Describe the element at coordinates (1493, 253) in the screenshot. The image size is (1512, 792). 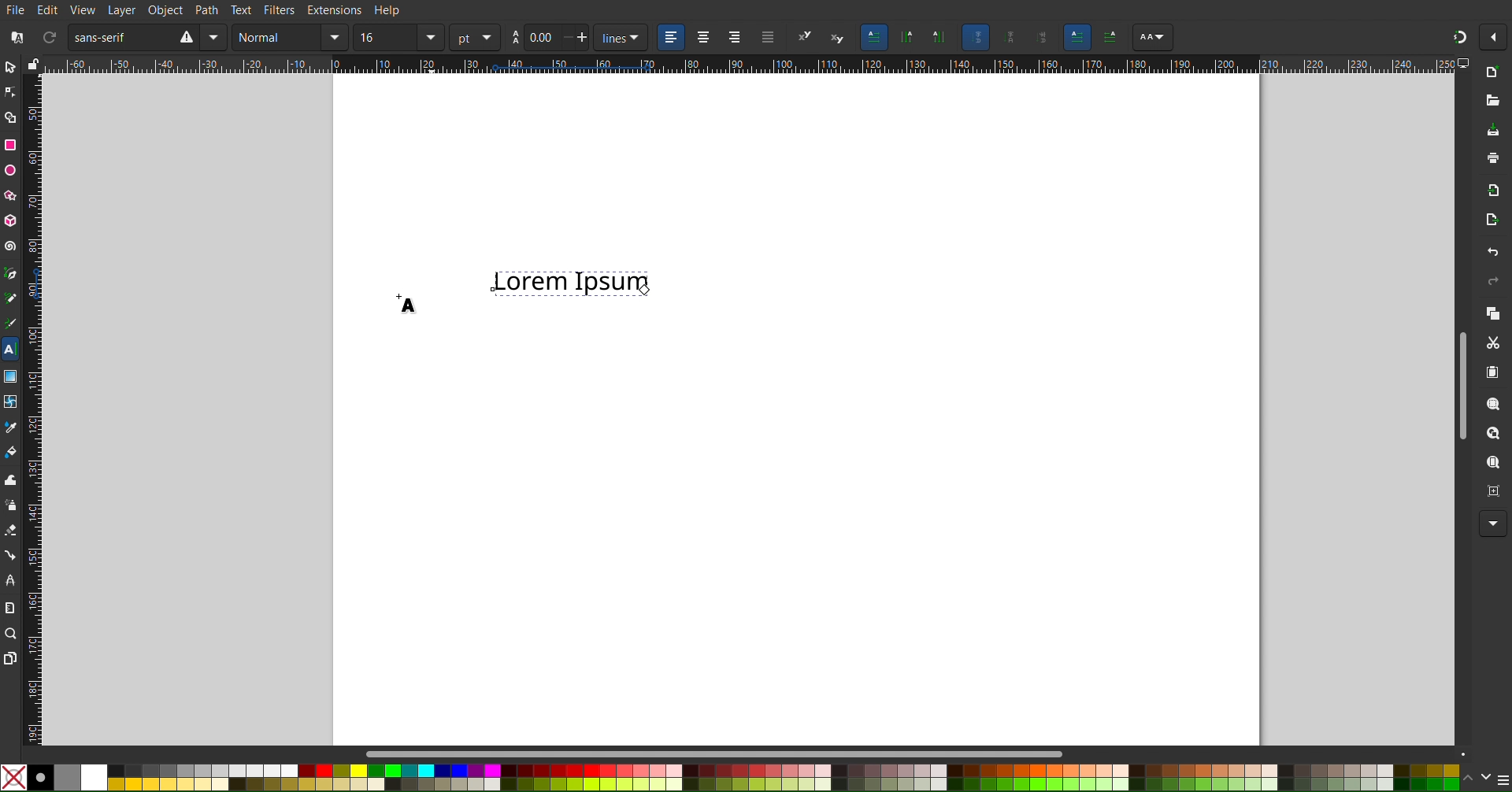
I see `Undo` at that location.